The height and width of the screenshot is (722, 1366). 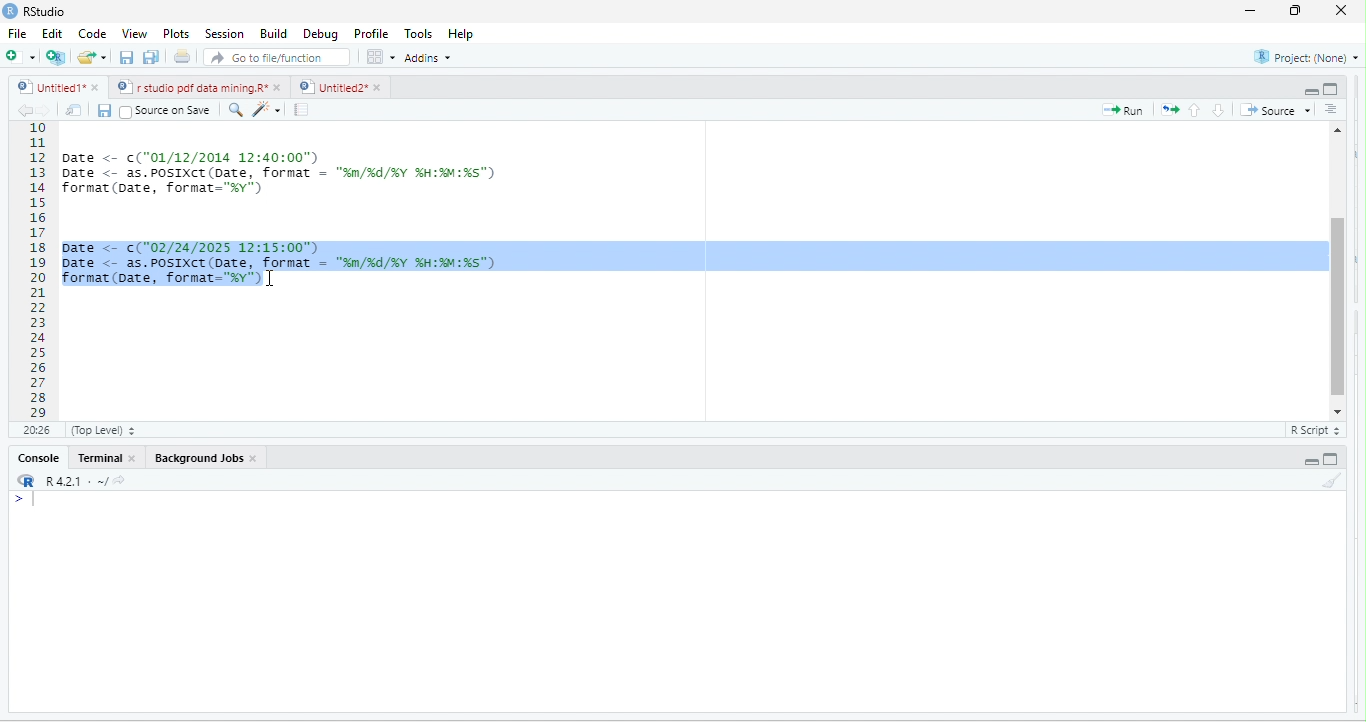 I want to click on go to previous section/chunk, so click(x=1197, y=109).